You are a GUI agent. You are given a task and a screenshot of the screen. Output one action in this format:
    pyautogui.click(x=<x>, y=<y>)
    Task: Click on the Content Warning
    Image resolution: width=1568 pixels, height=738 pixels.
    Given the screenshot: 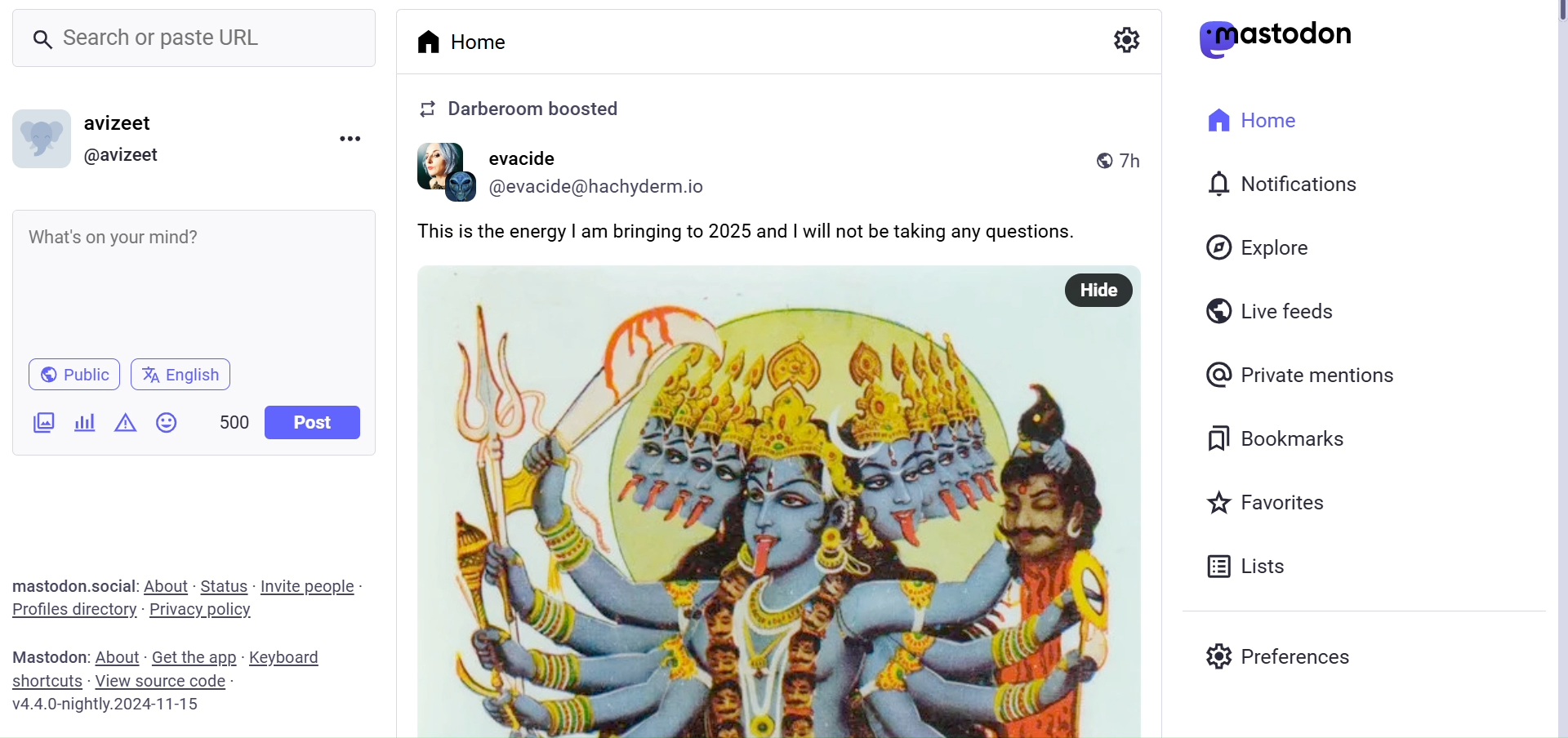 What is the action you would take?
    pyautogui.click(x=128, y=423)
    